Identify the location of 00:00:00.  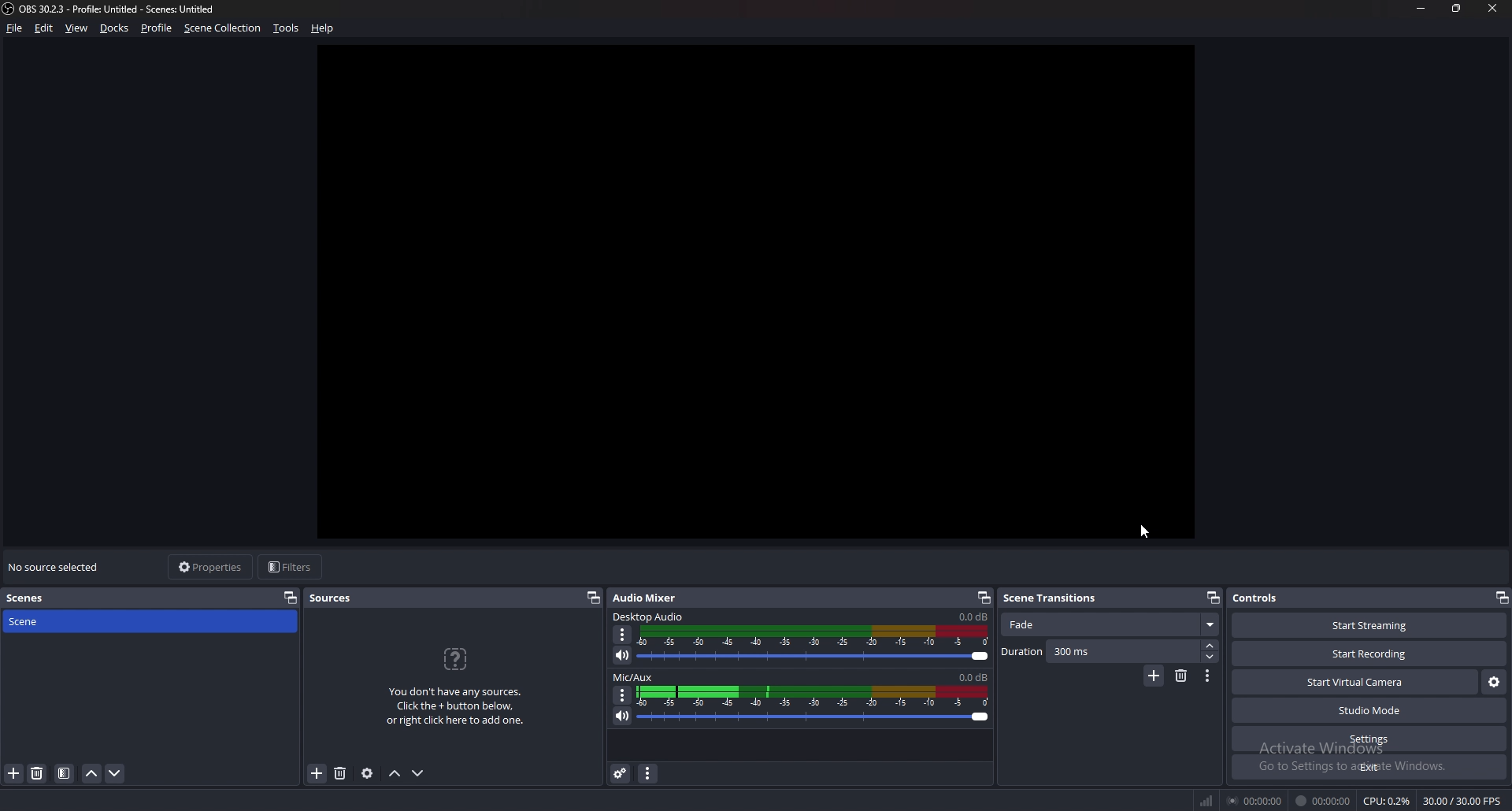
(1257, 800).